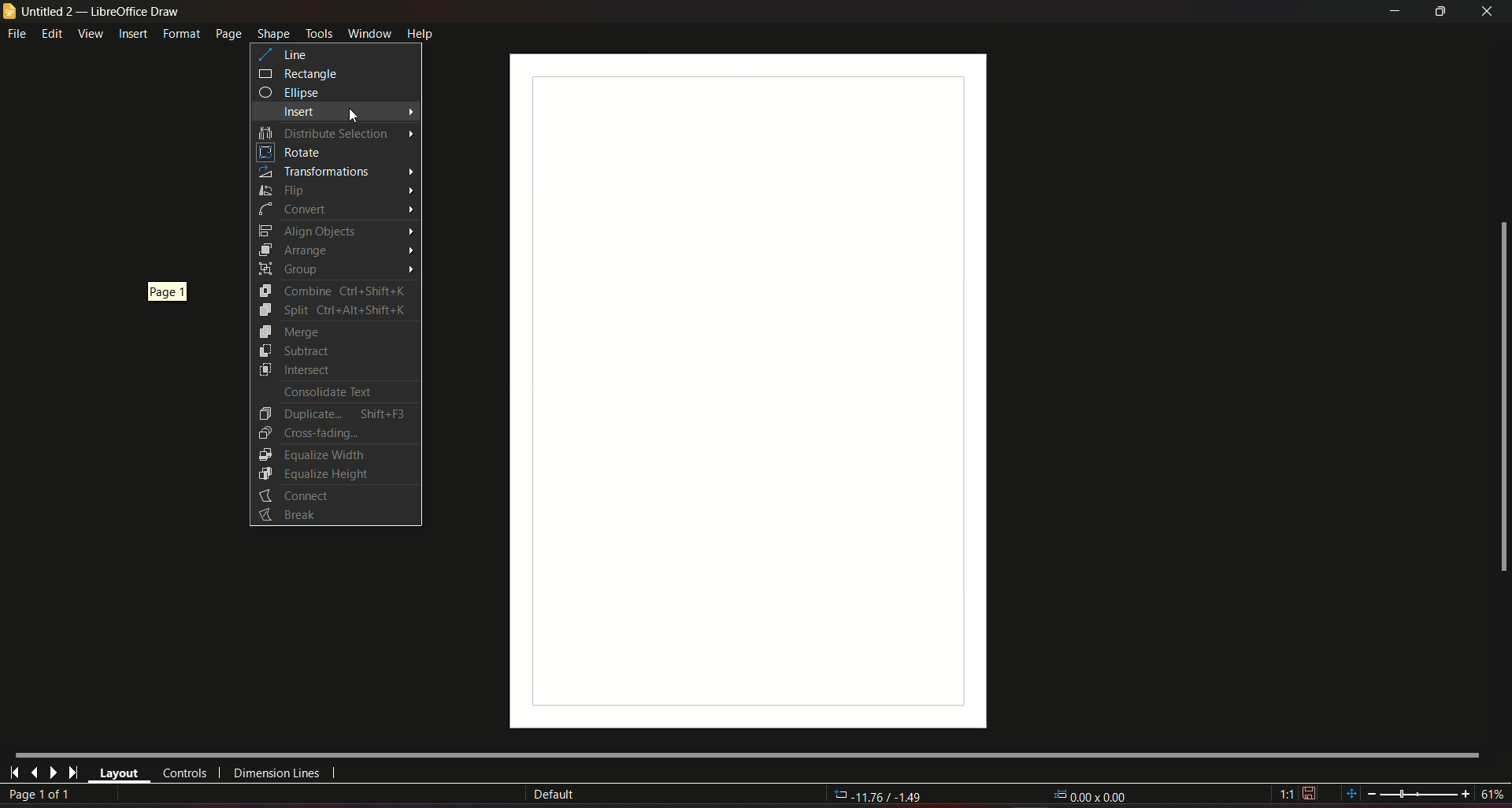 The height and width of the screenshot is (808, 1512). What do you see at coordinates (315, 172) in the screenshot?
I see `Transformations` at bounding box center [315, 172].